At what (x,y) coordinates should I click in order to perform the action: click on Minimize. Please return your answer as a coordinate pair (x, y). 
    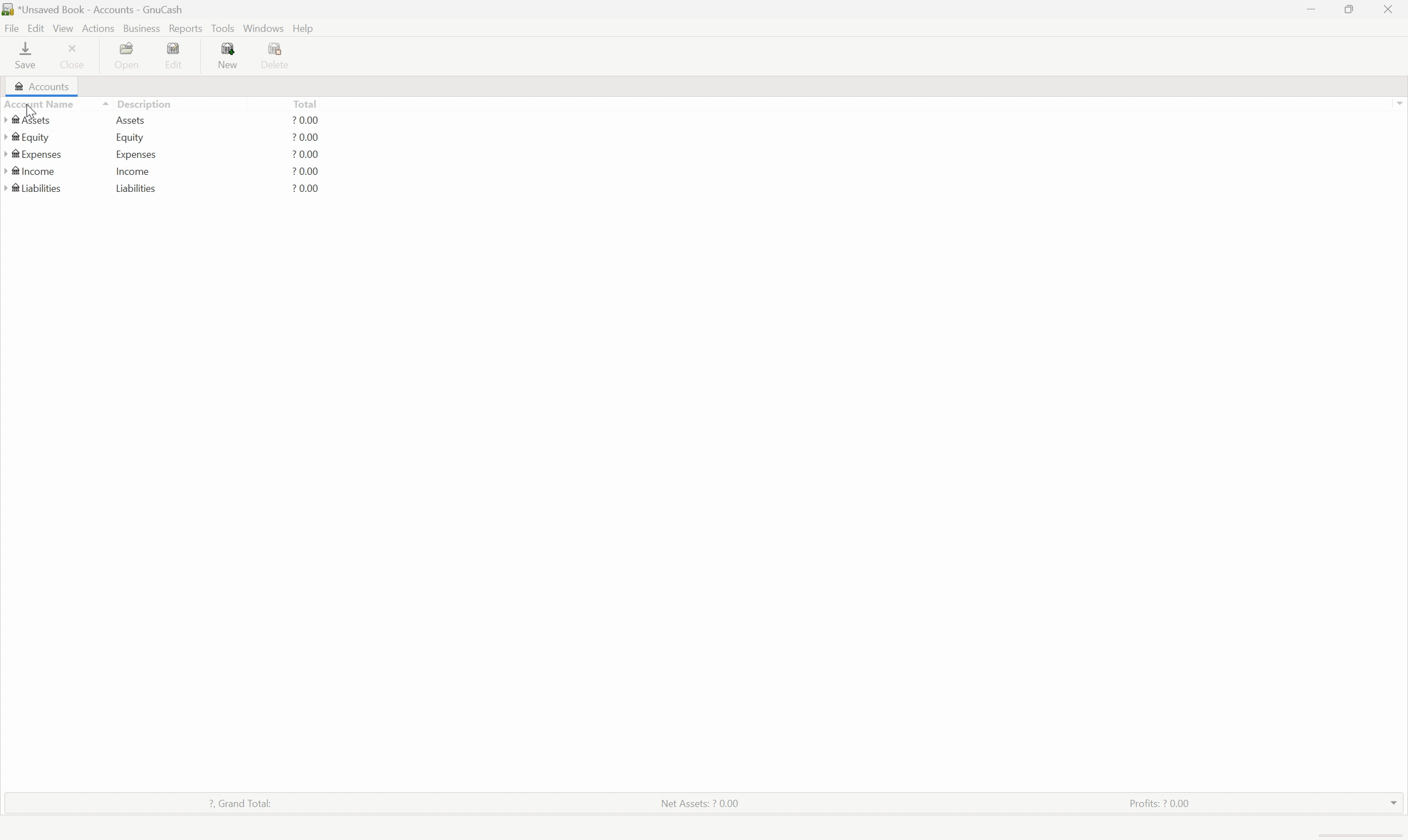
    Looking at the image, I should click on (1311, 10).